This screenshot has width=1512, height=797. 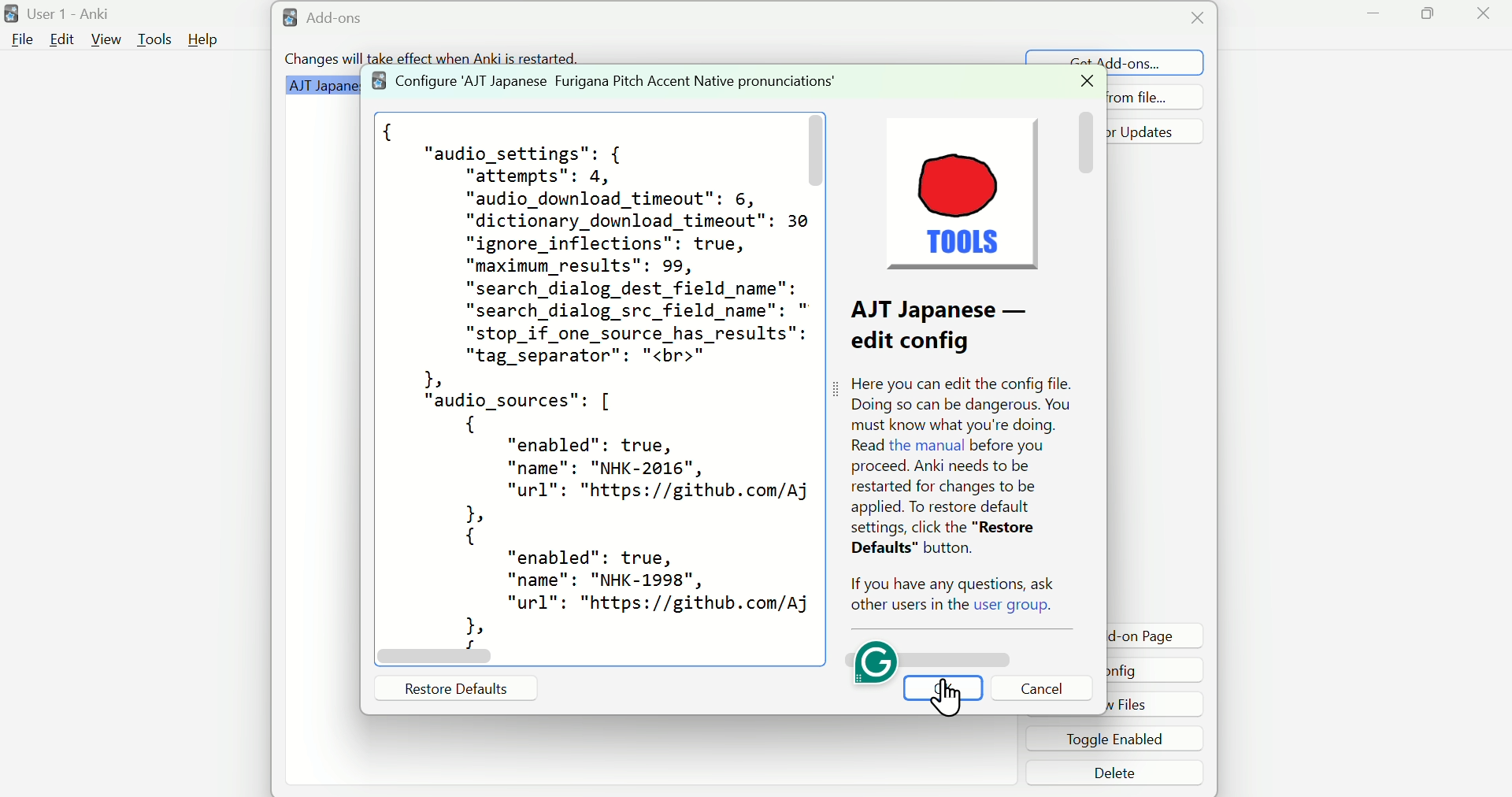 I want to click on Changes will take effect when Anki is restarted, so click(x=433, y=60).